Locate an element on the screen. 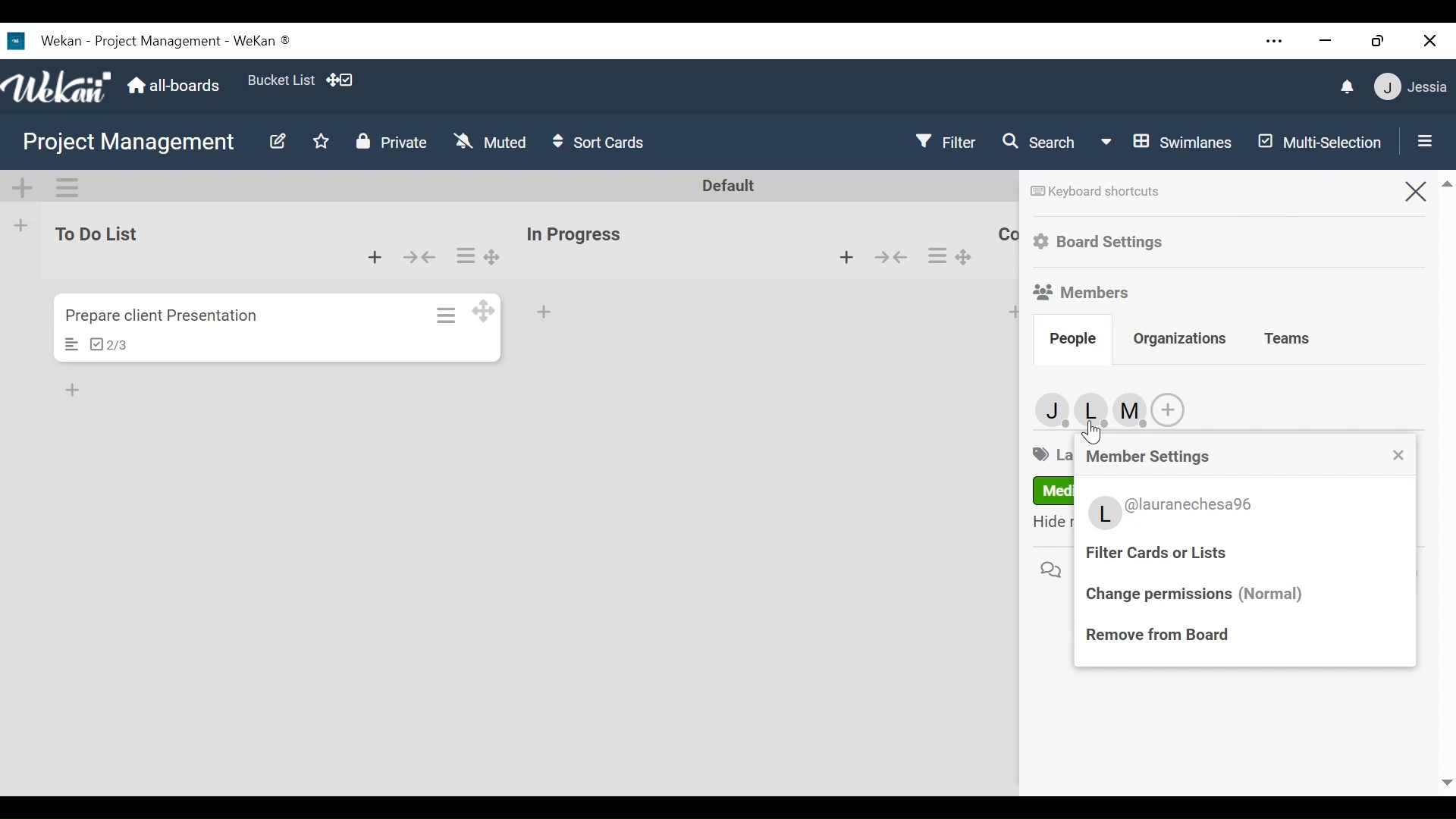  Collapse is located at coordinates (422, 257).